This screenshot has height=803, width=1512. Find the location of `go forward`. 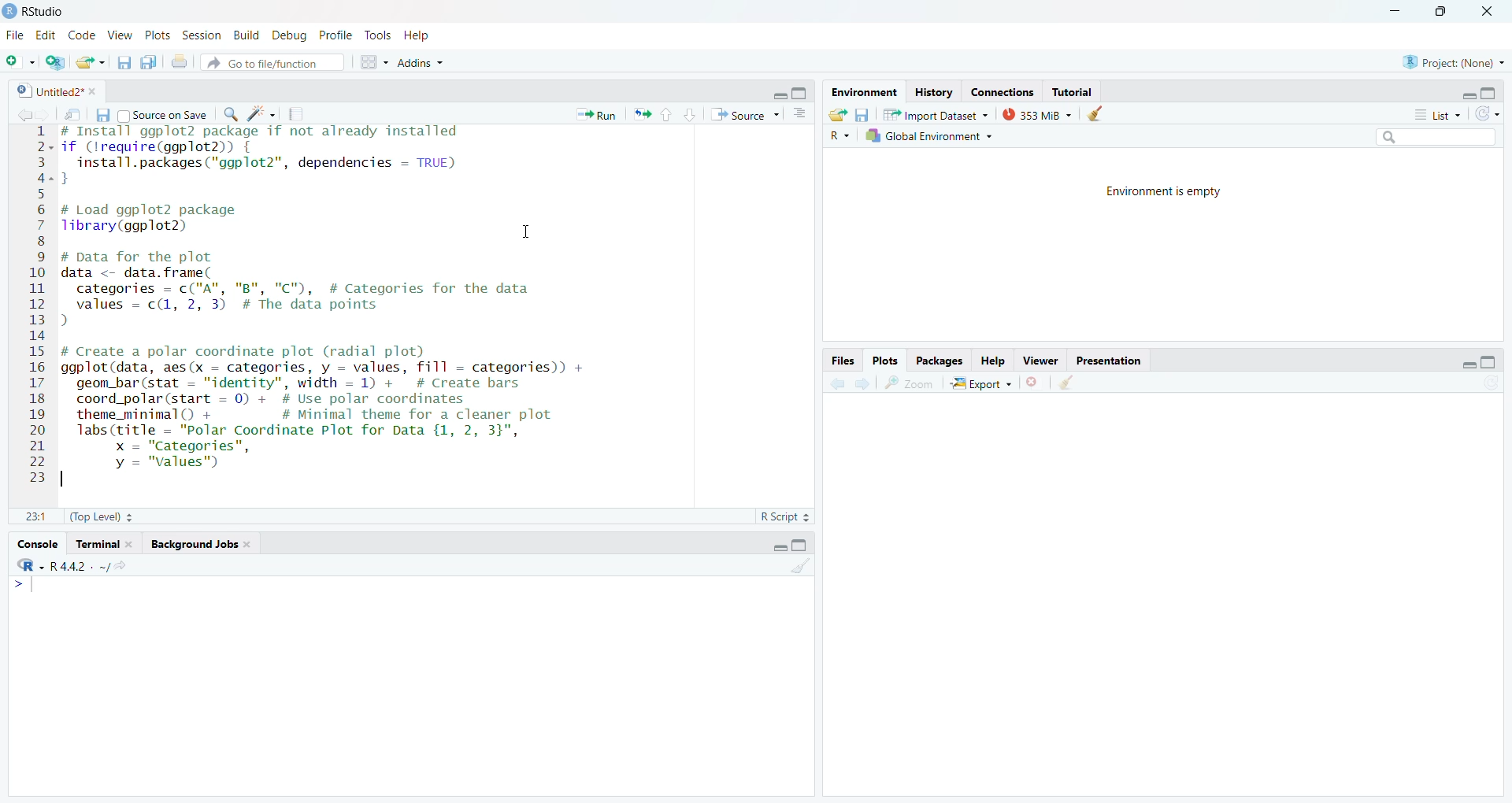

go forward is located at coordinates (866, 385).